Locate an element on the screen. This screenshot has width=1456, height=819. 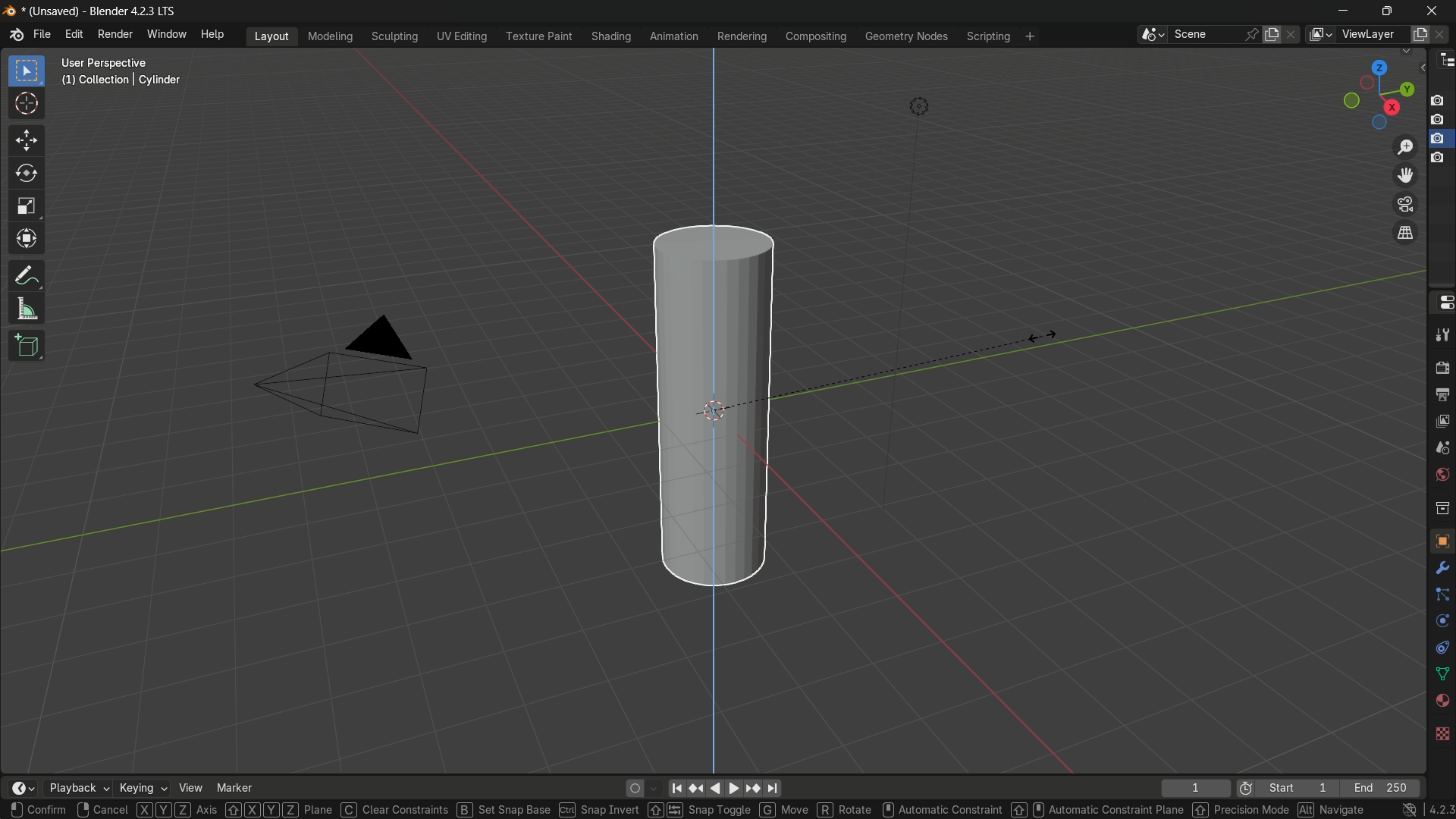
add workplace is located at coordinates (1032, 36).